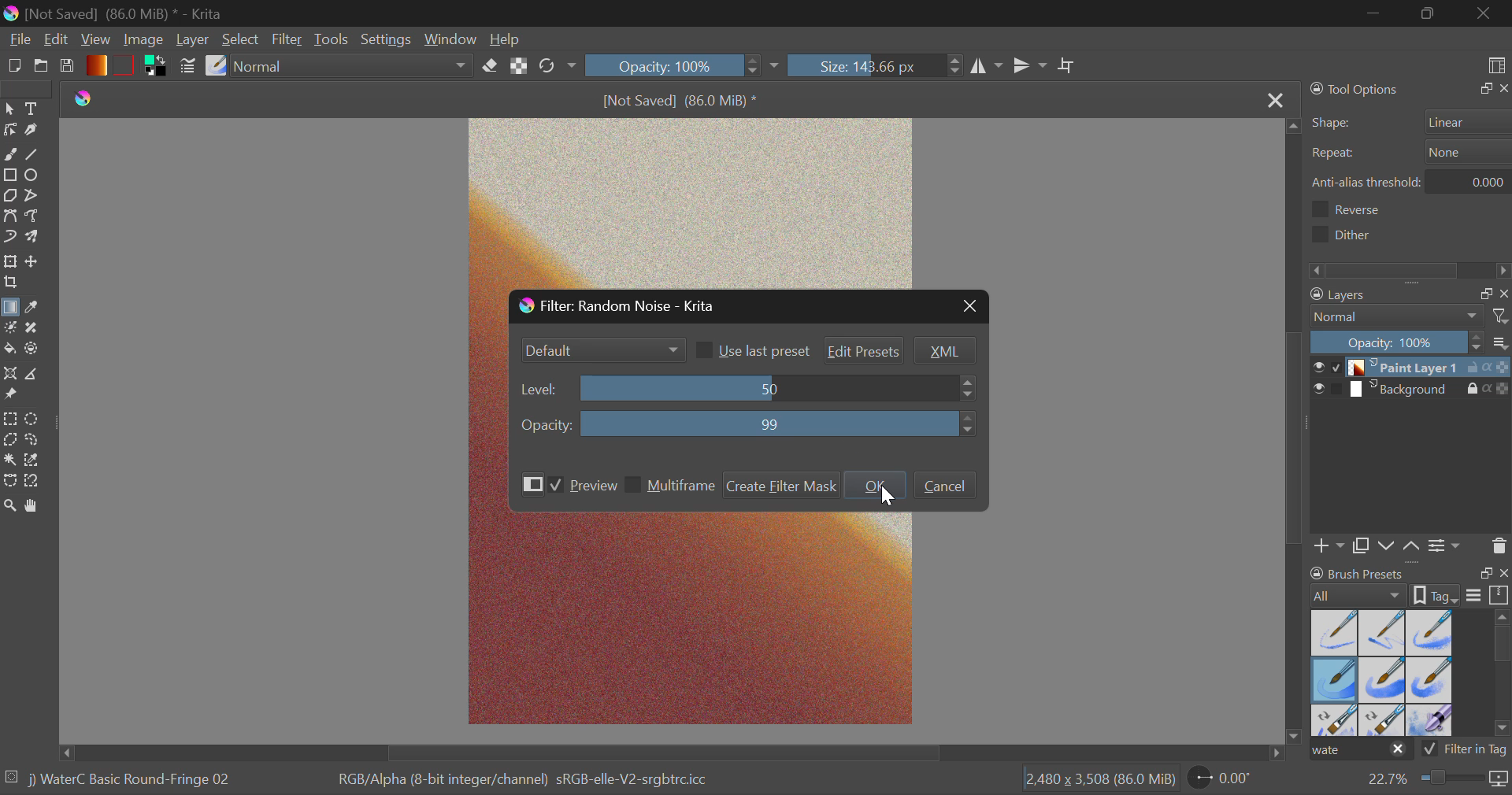 This screenshot has height=795, width=1512. Describe the element at coordinates (1428, 13) in the screenshot. I see `Minimize` at that location.